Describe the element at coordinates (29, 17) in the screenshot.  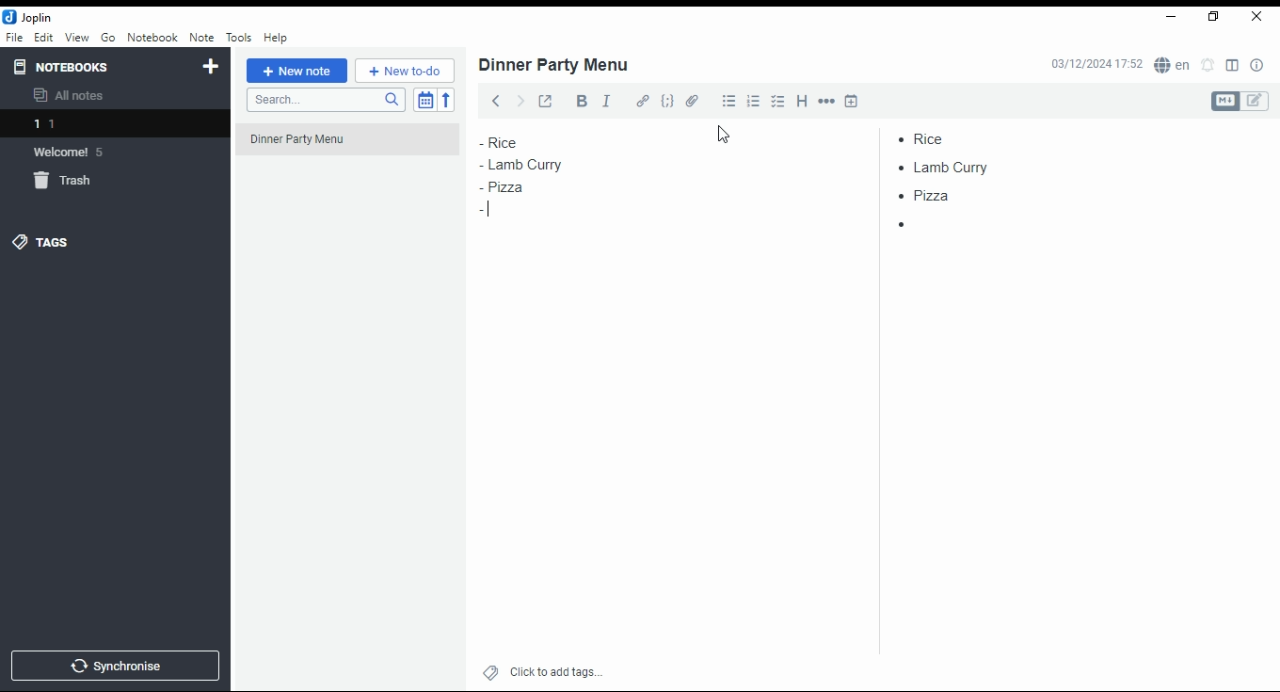
I see `Hoplin` at that location.